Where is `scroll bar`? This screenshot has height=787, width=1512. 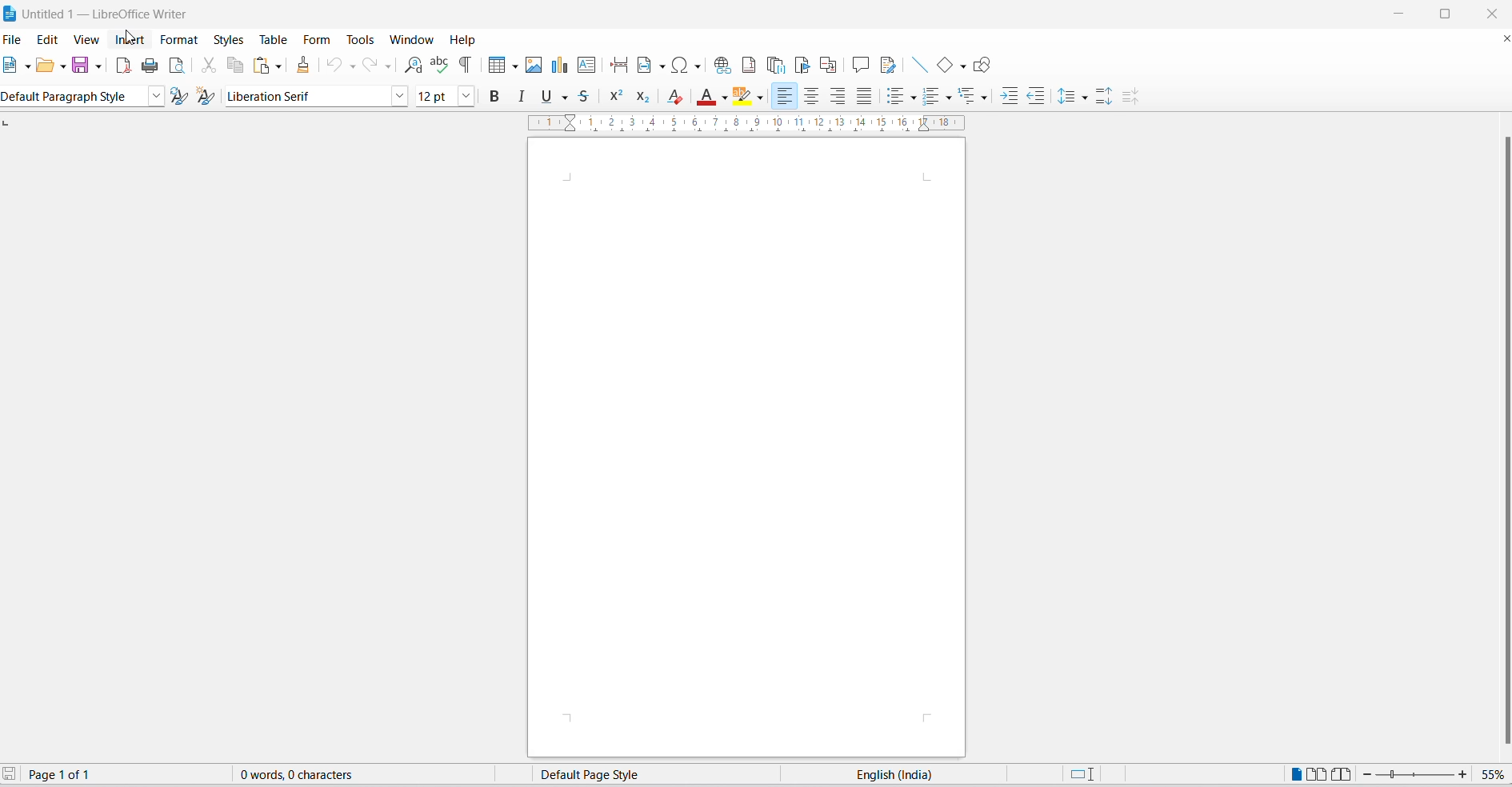
scroll bar is located at coordinates (1502, 439).